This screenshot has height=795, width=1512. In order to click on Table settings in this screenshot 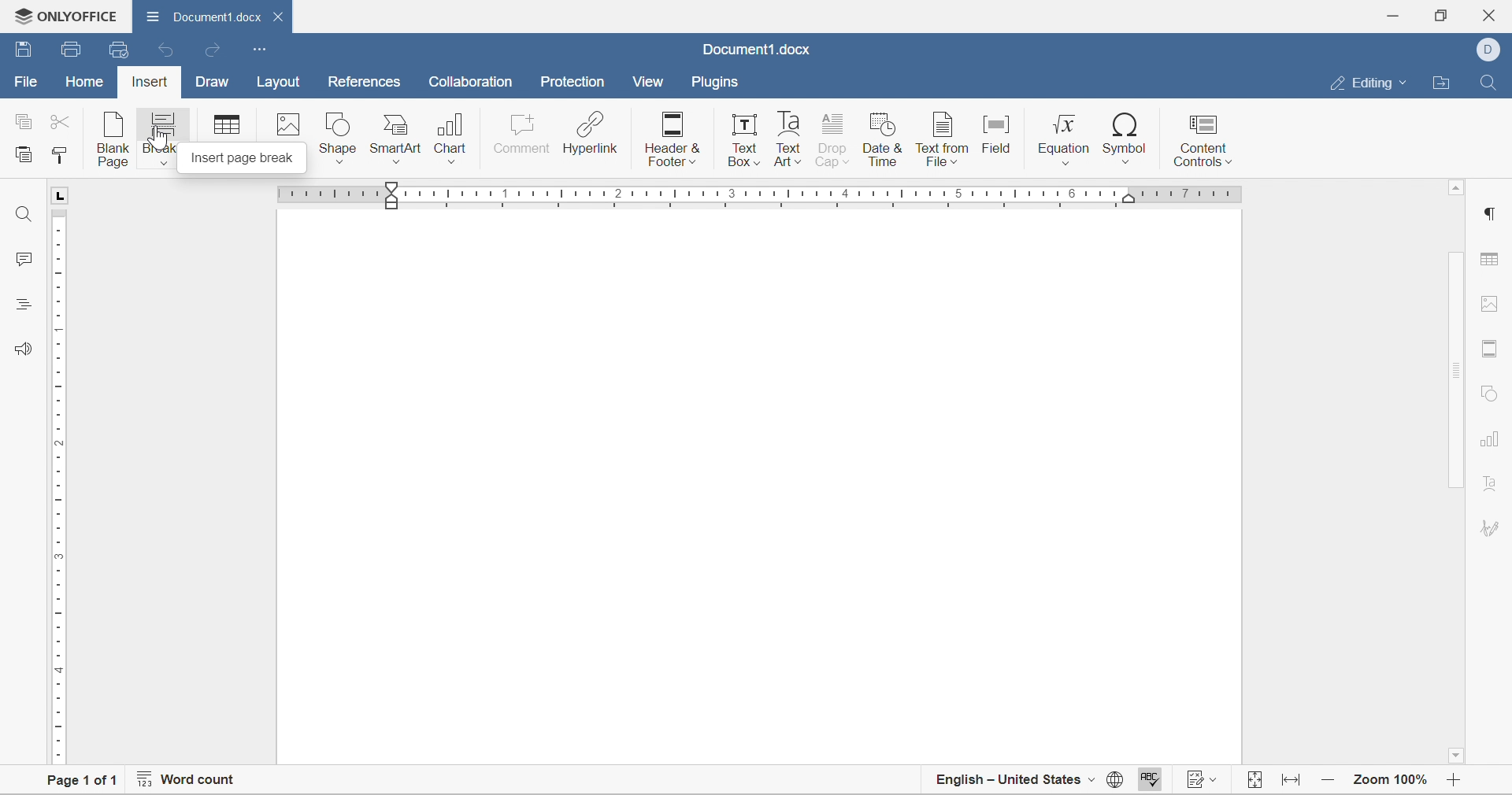, I will do `click(1494, 258)`.